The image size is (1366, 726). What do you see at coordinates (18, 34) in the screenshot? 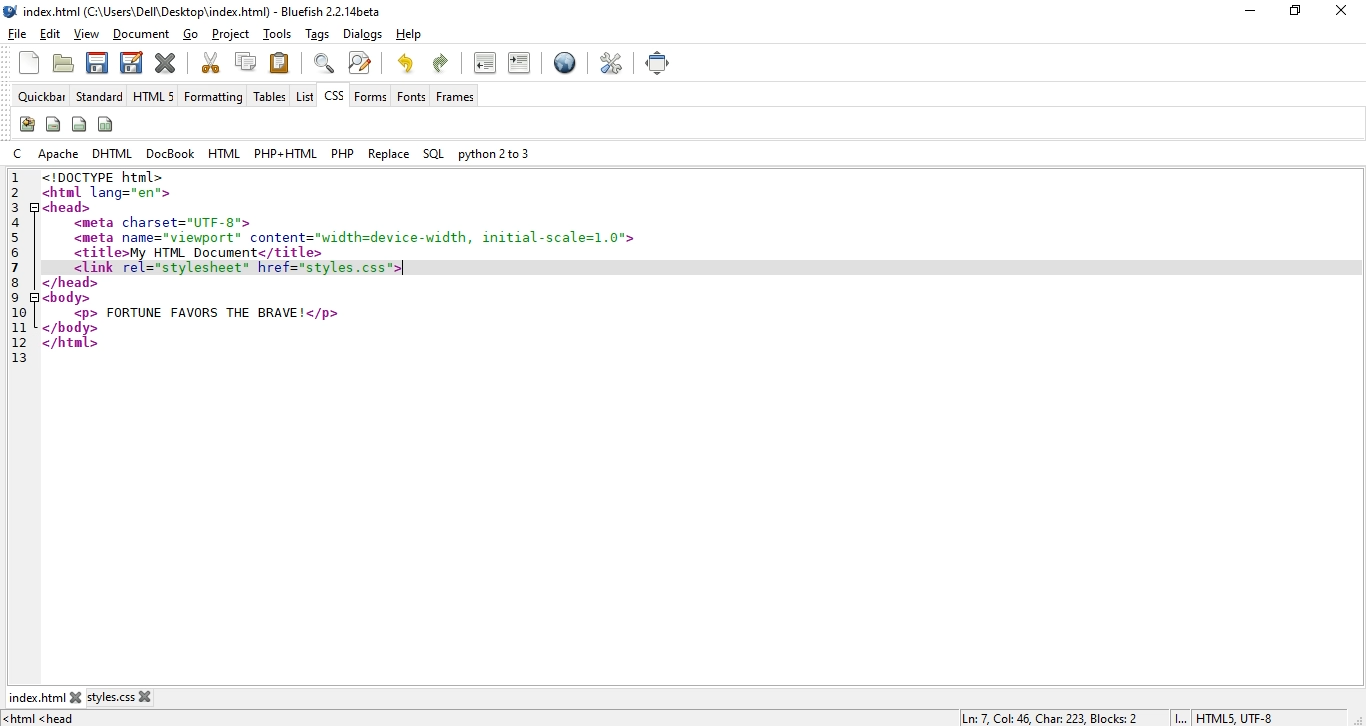
I see `file` at bounding box center [18, 34].